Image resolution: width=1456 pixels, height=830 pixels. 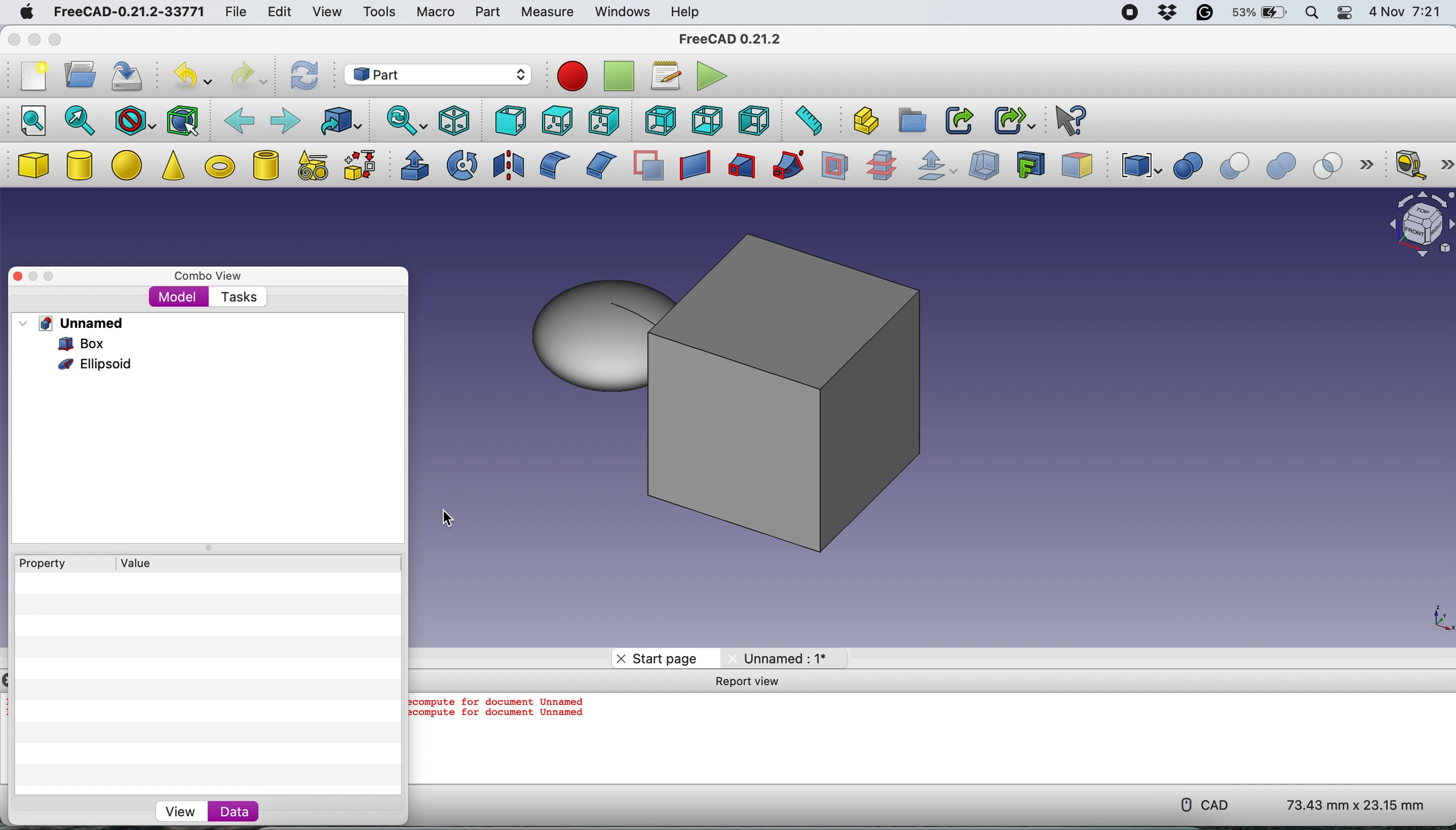 What do you see at coordinates (236, 13) in the screenshot?
I see `file` at bounding box center [236, 13].